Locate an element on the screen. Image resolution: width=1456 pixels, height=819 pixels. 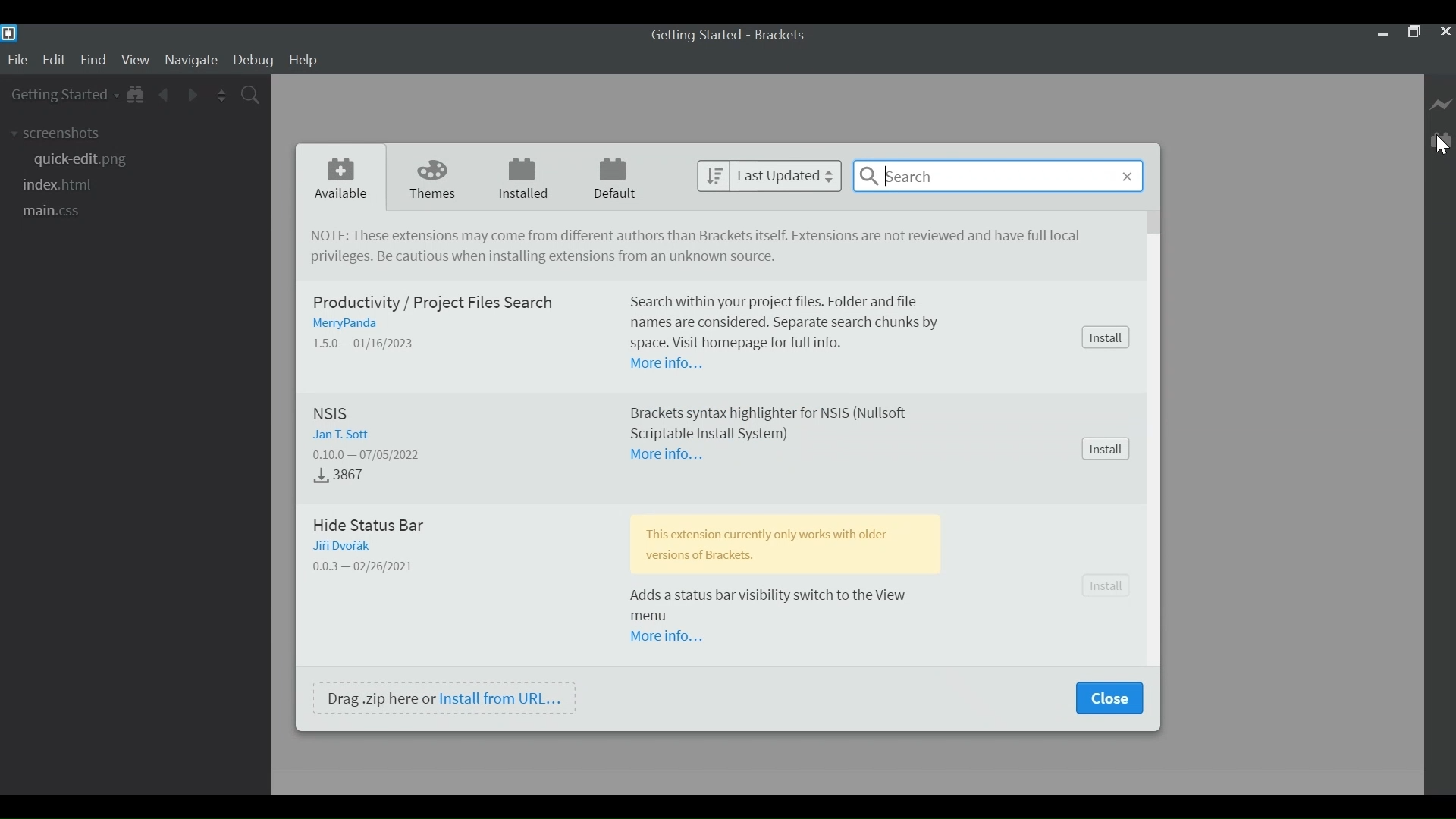
Search is located at coordinates (998, 175).